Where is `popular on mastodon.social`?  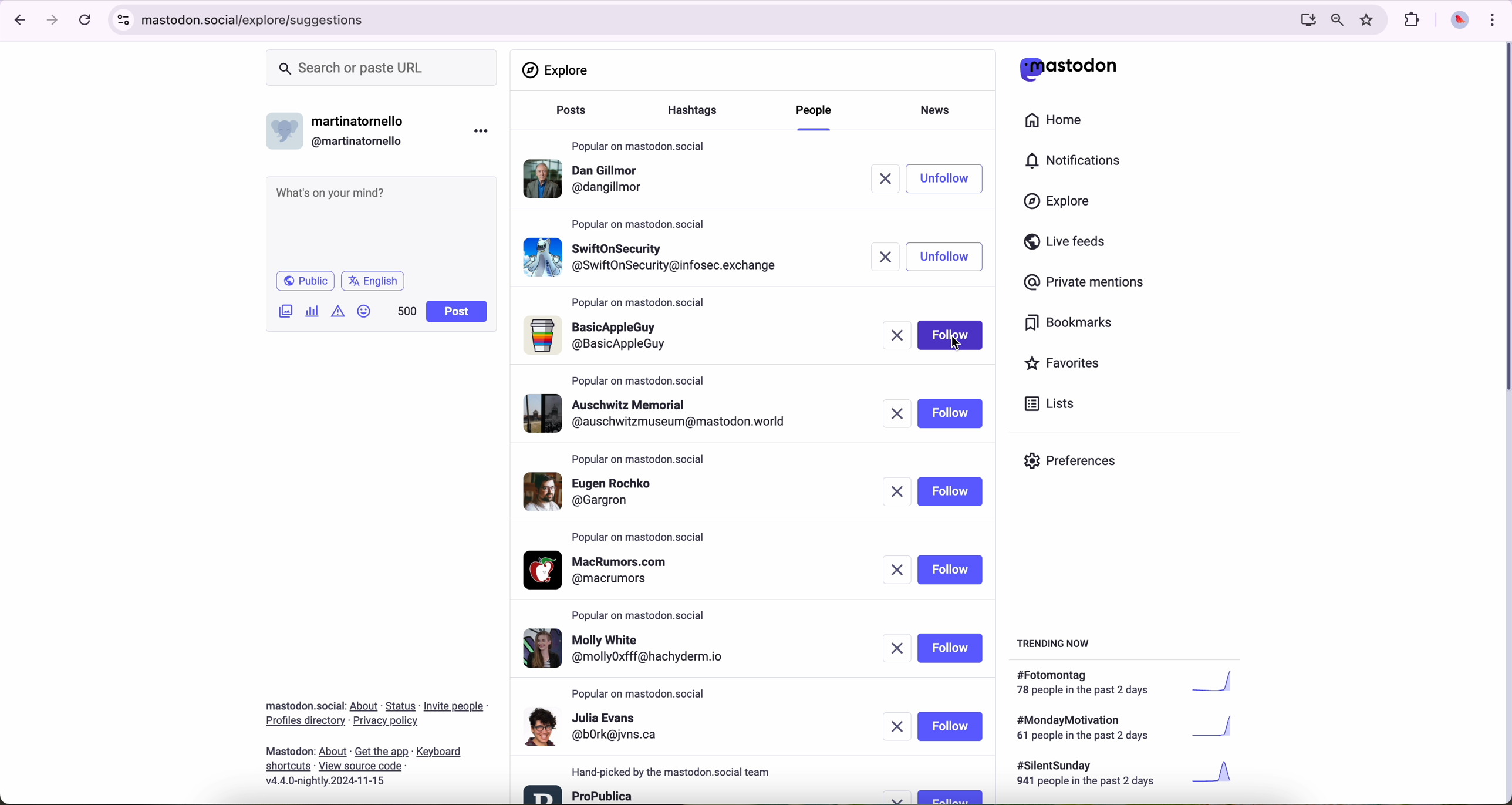
popular on mastodon.social is located at coordinates (637, 457).